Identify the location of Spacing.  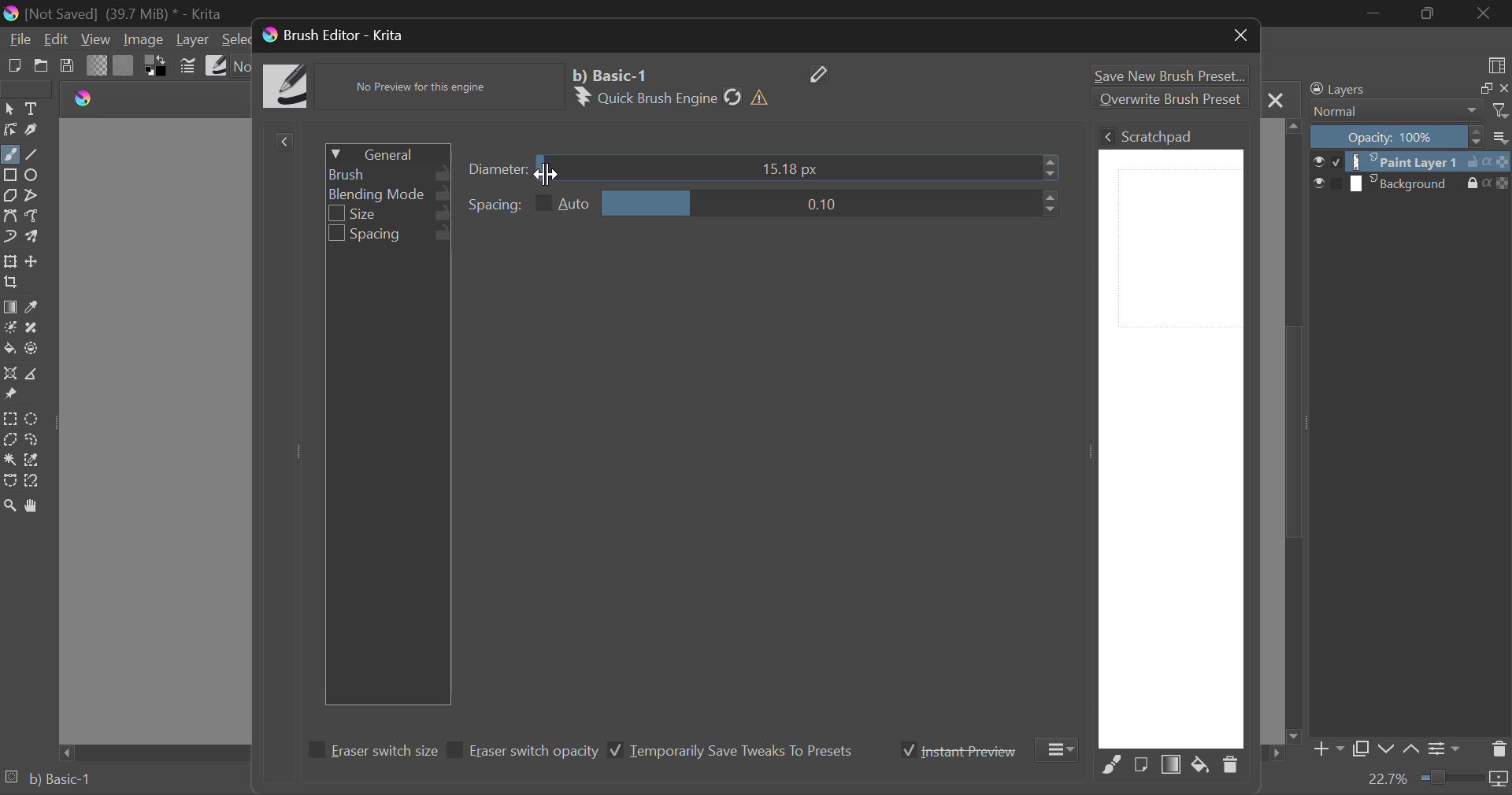
(764, 203).